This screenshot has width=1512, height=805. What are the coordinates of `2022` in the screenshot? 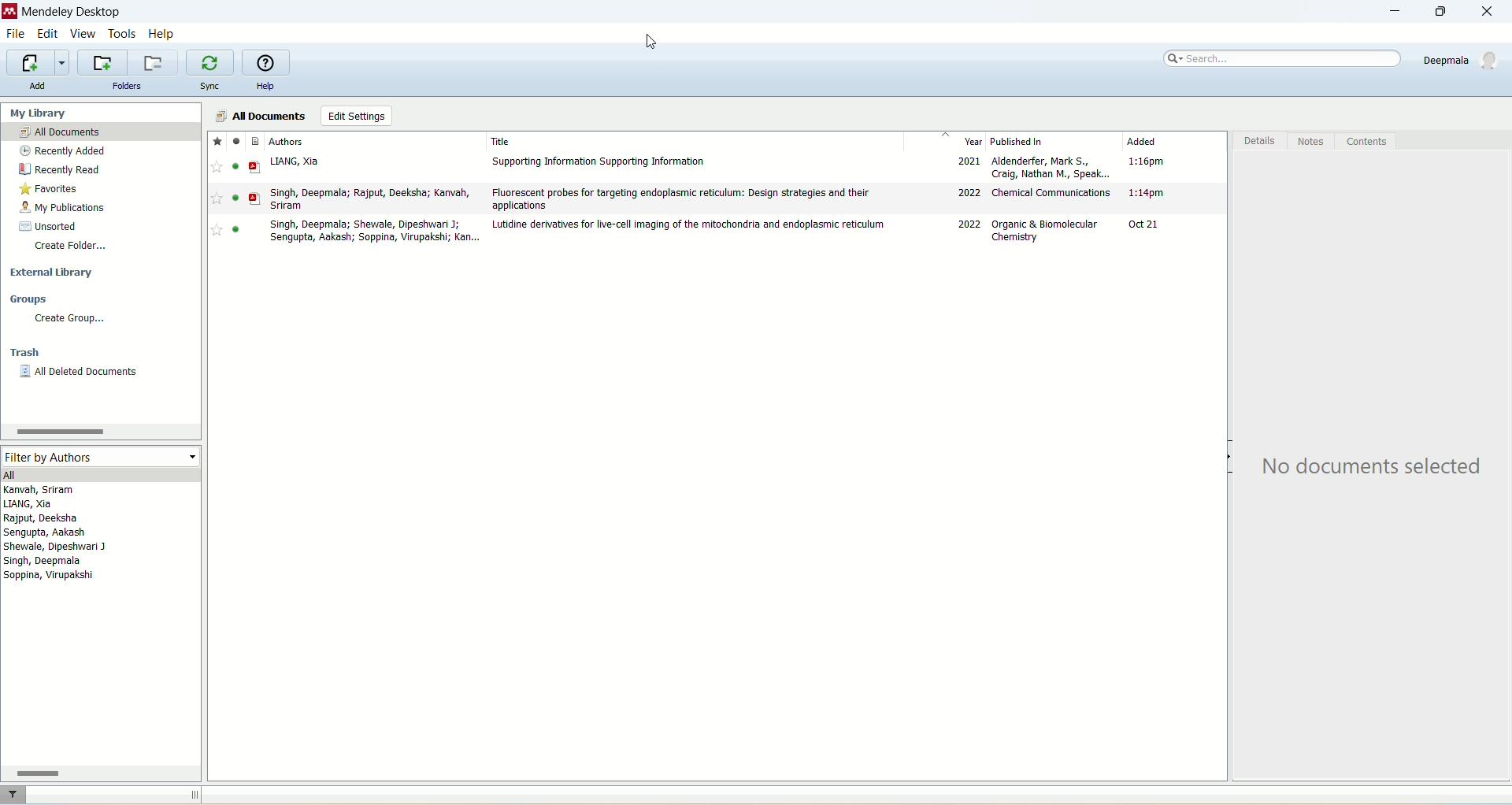 It's located at (970, 191).